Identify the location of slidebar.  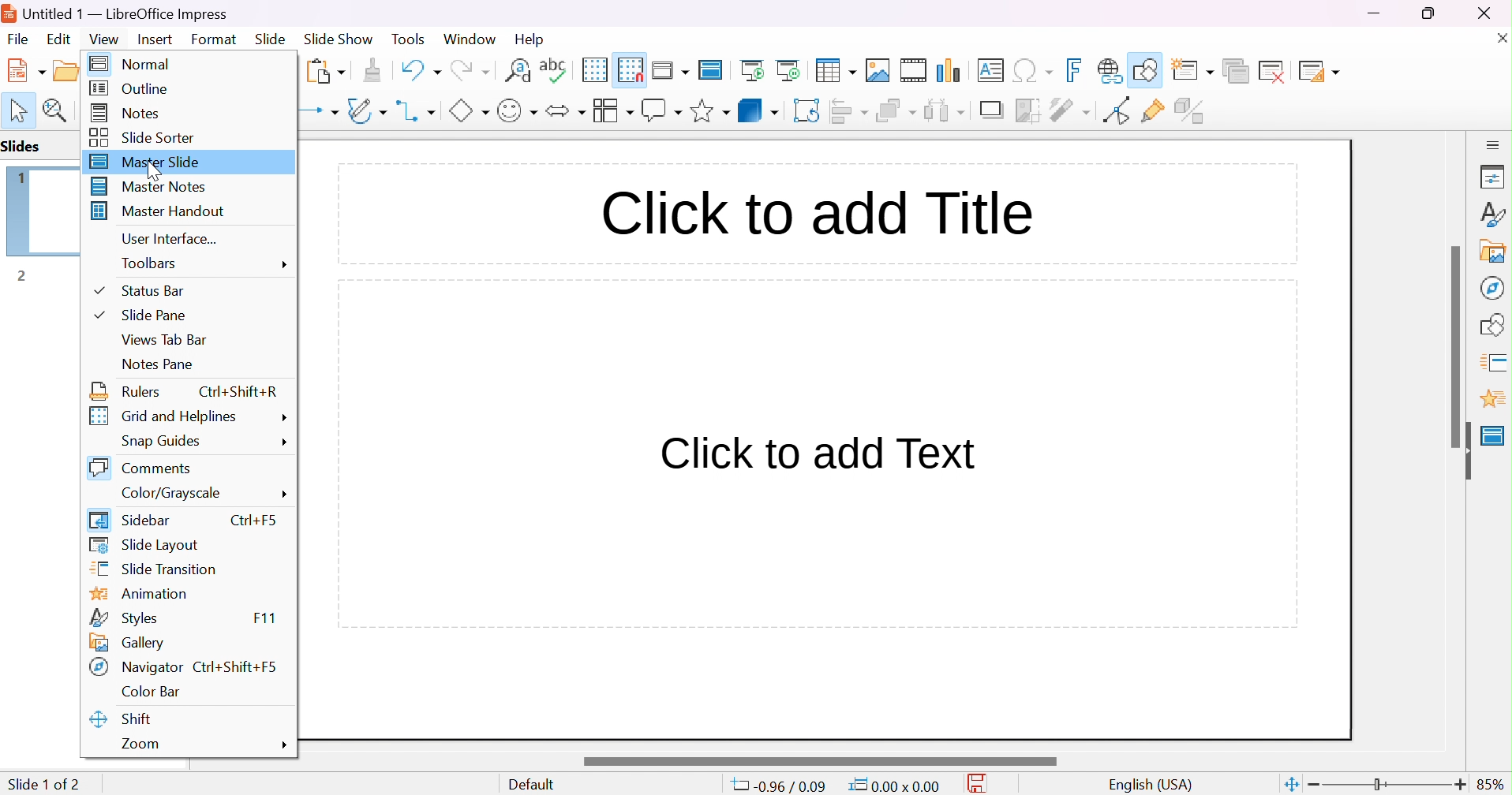
(132, 518).